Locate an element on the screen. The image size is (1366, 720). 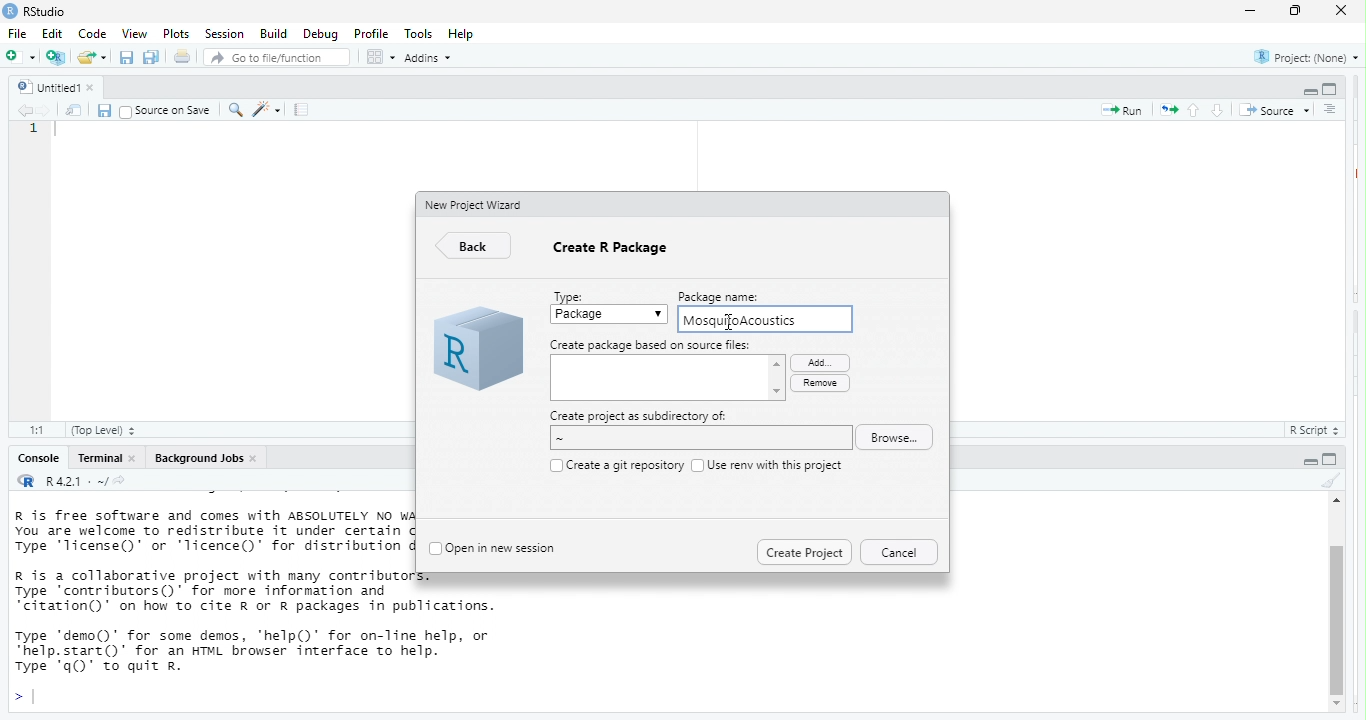
Package name: is located at coordinates (731, 295).